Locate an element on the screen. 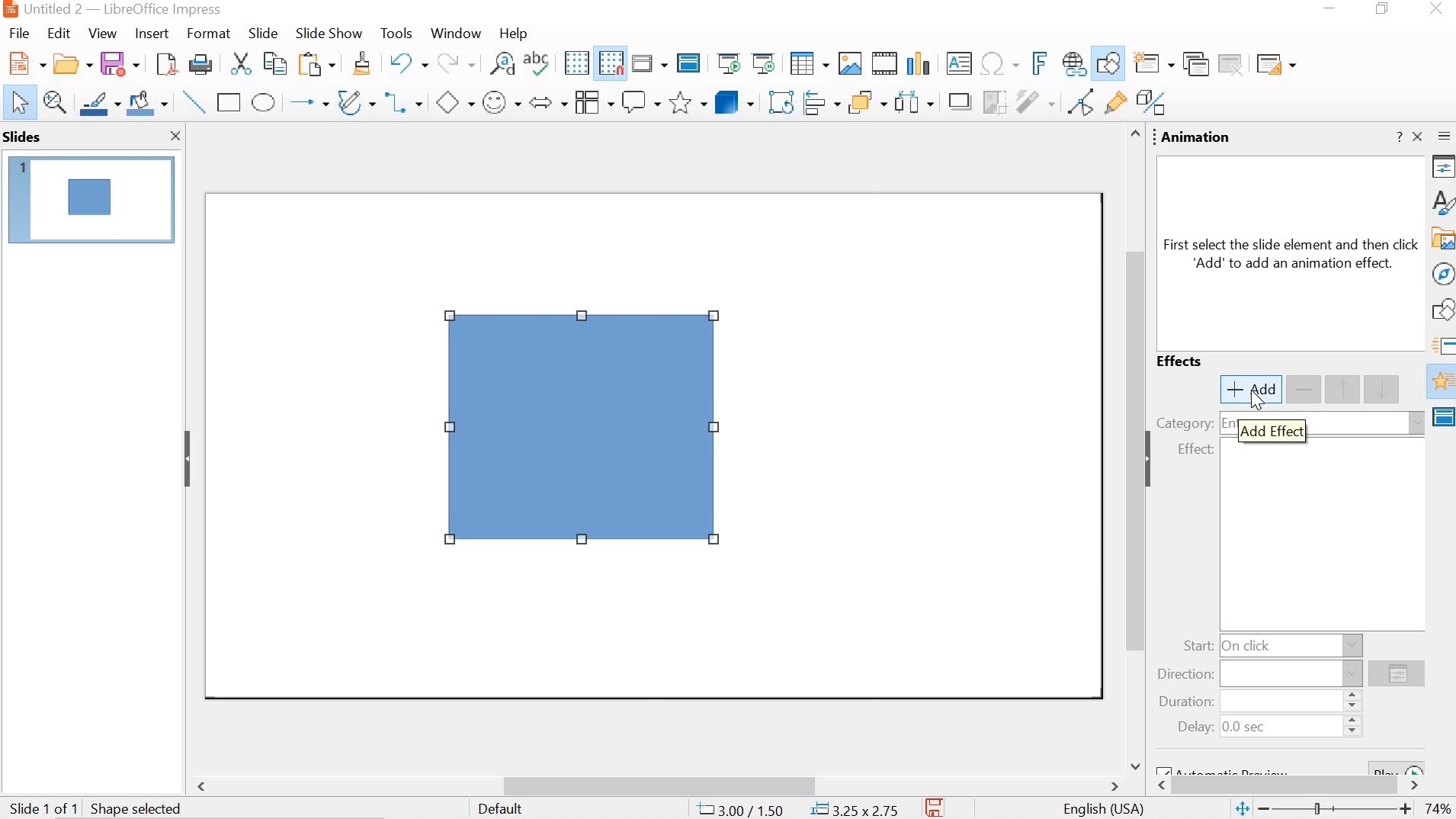 The width and height of the screenshot is (1456, 819). slide transition is located at coordinates (1442, 344).